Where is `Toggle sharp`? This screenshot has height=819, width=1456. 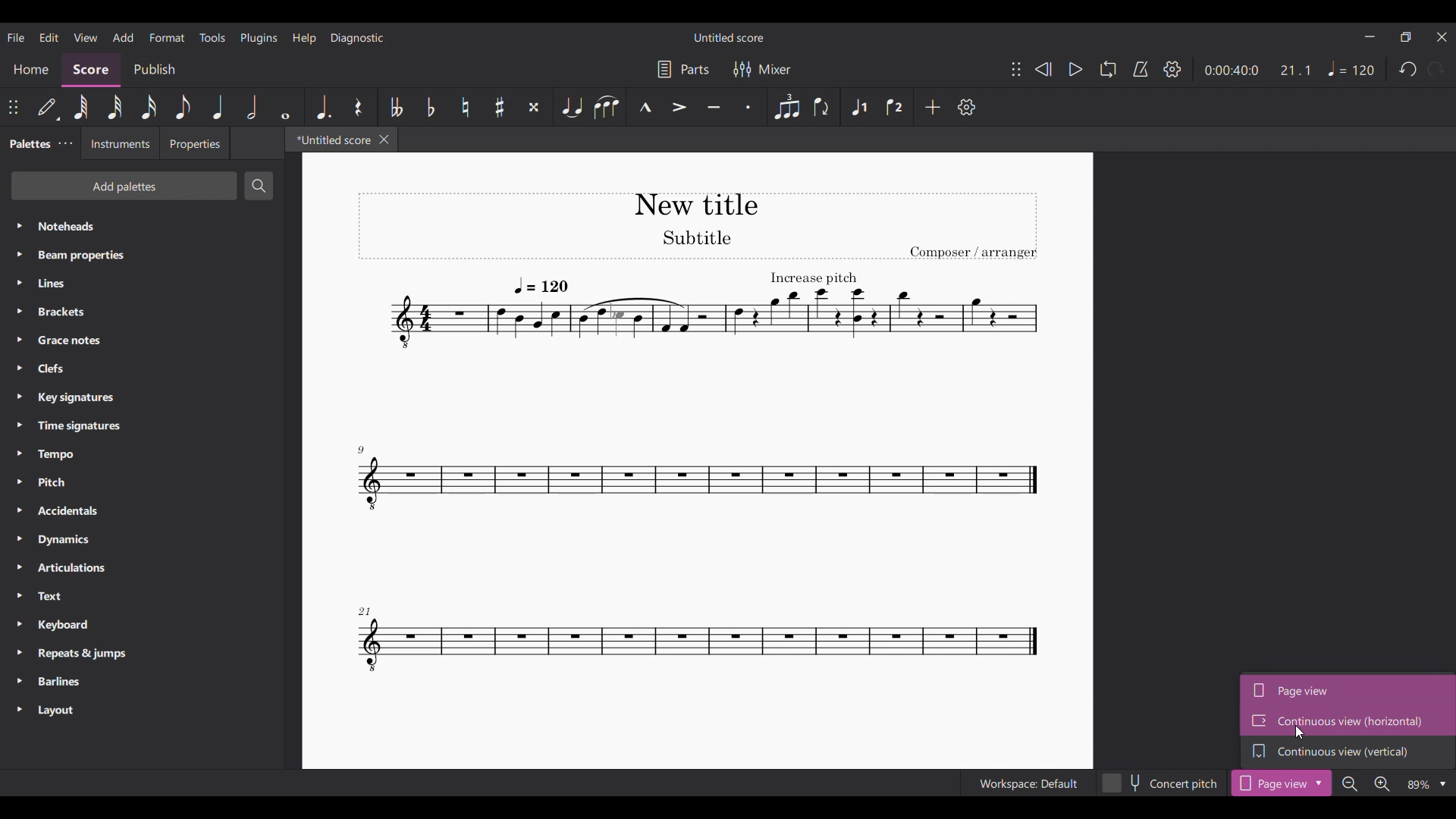 Toggle sharp is located at coordinates (499, 107).